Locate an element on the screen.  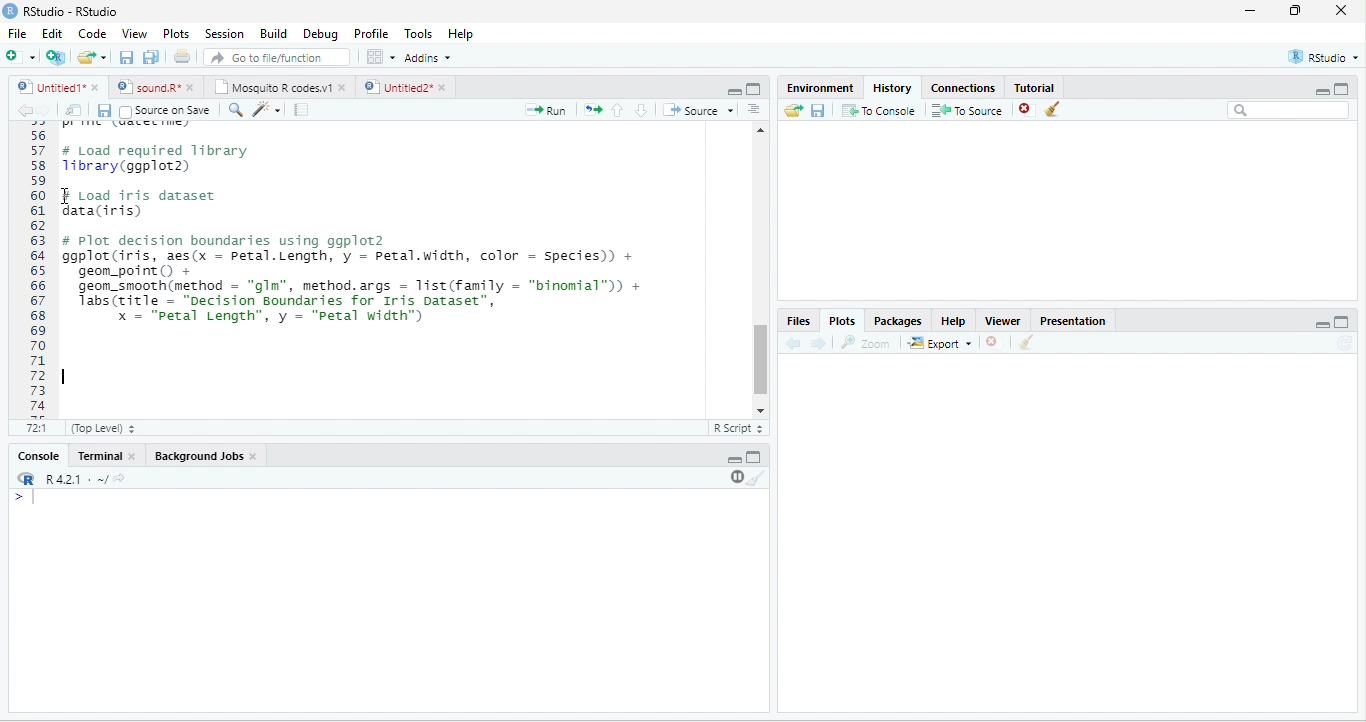
72:1 is located at coordinates (38, 427).